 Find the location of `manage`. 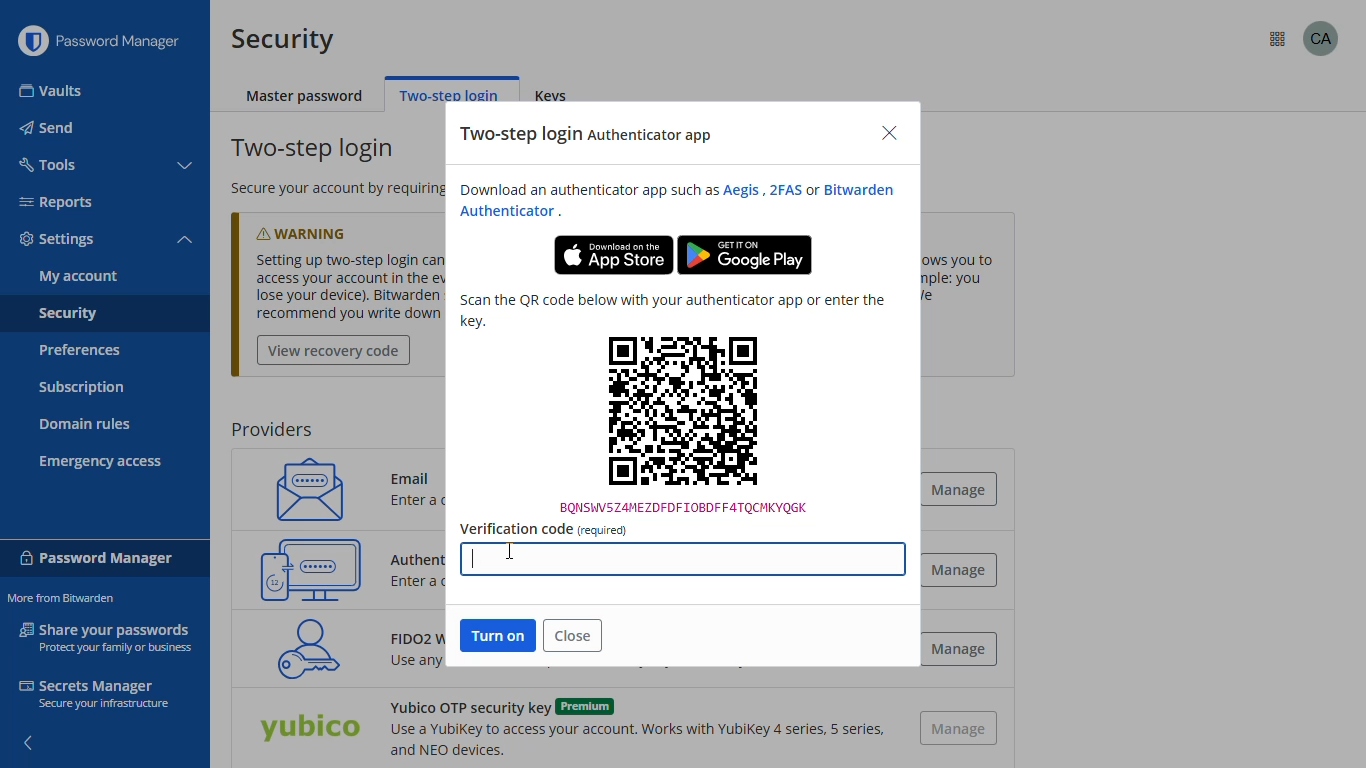

manage is located at coordinates (964, 569).